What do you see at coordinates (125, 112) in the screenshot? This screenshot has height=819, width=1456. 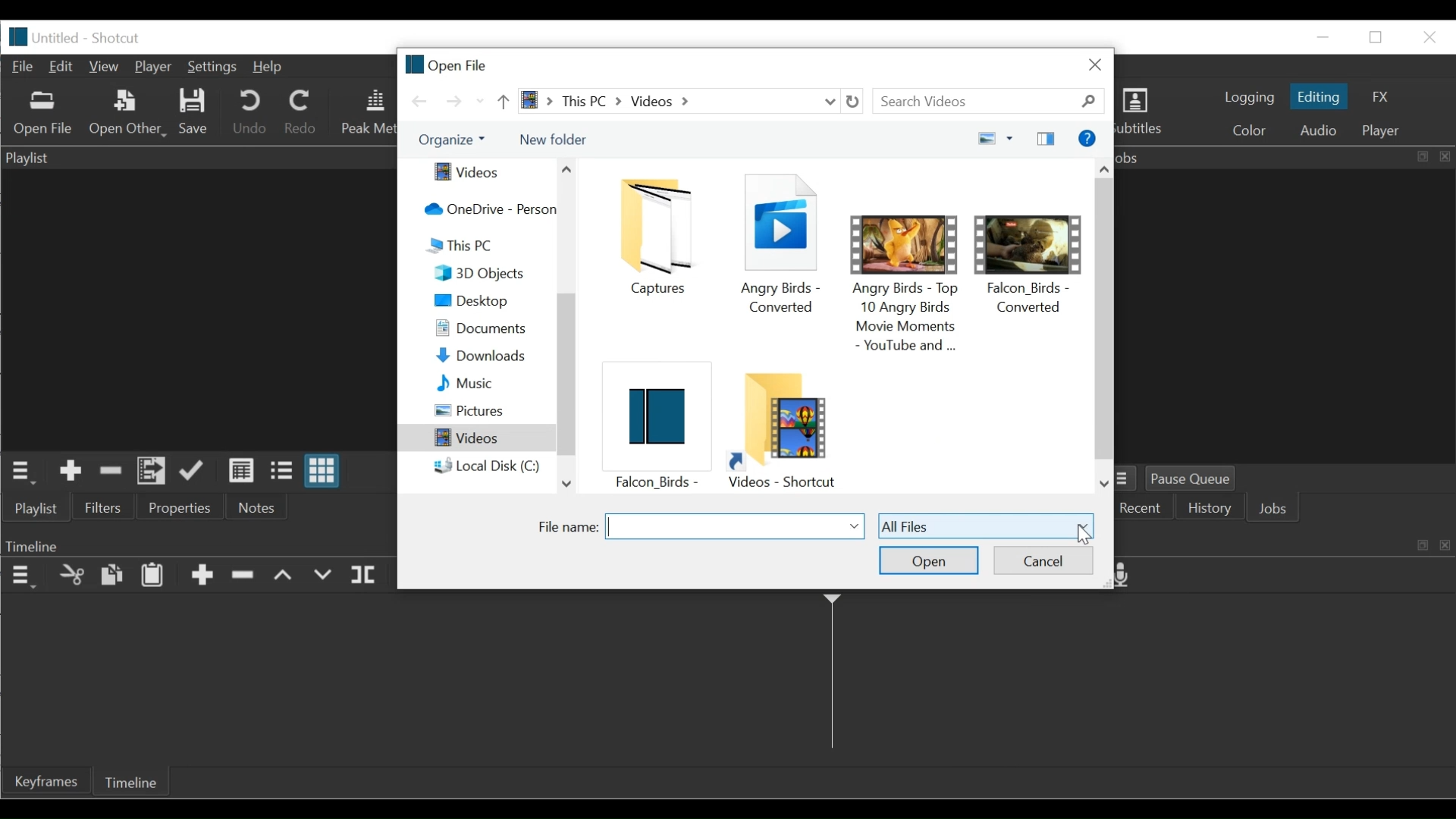 I see `Open Other` at bounding box center [125, 112].